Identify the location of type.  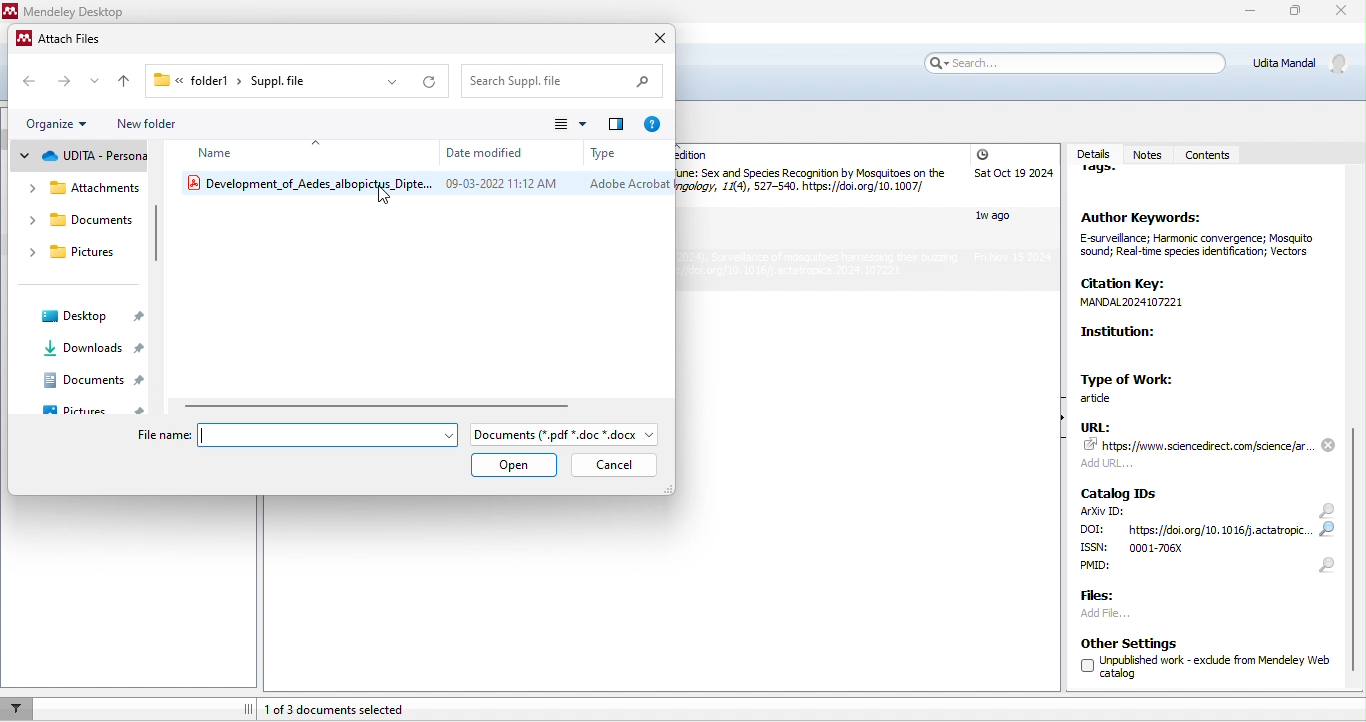
(603, 153).